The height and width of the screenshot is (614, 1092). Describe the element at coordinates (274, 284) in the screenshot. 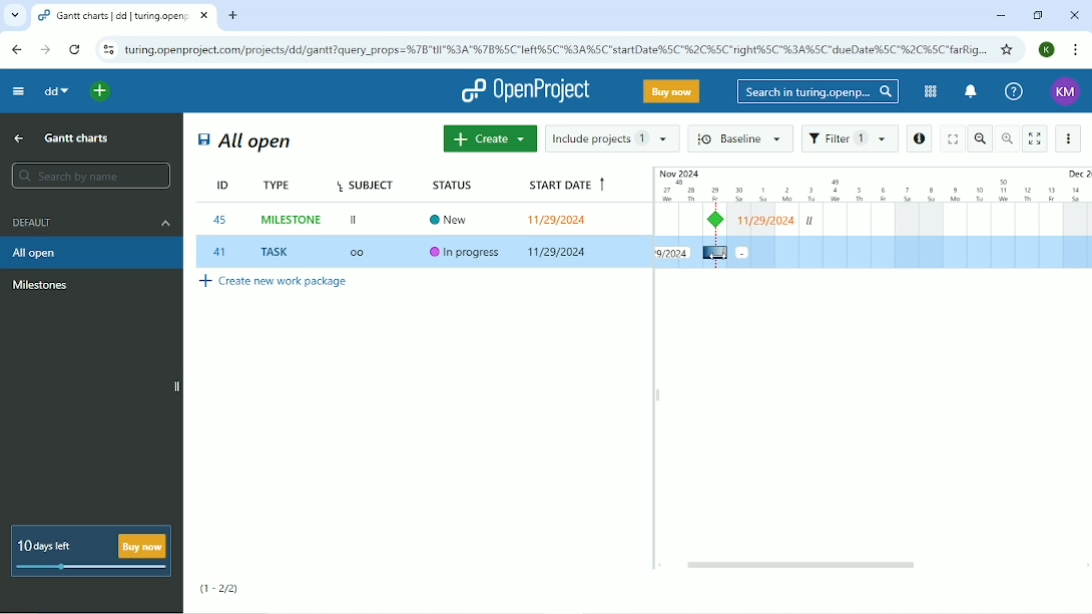

I see `Create new work package` at that location.